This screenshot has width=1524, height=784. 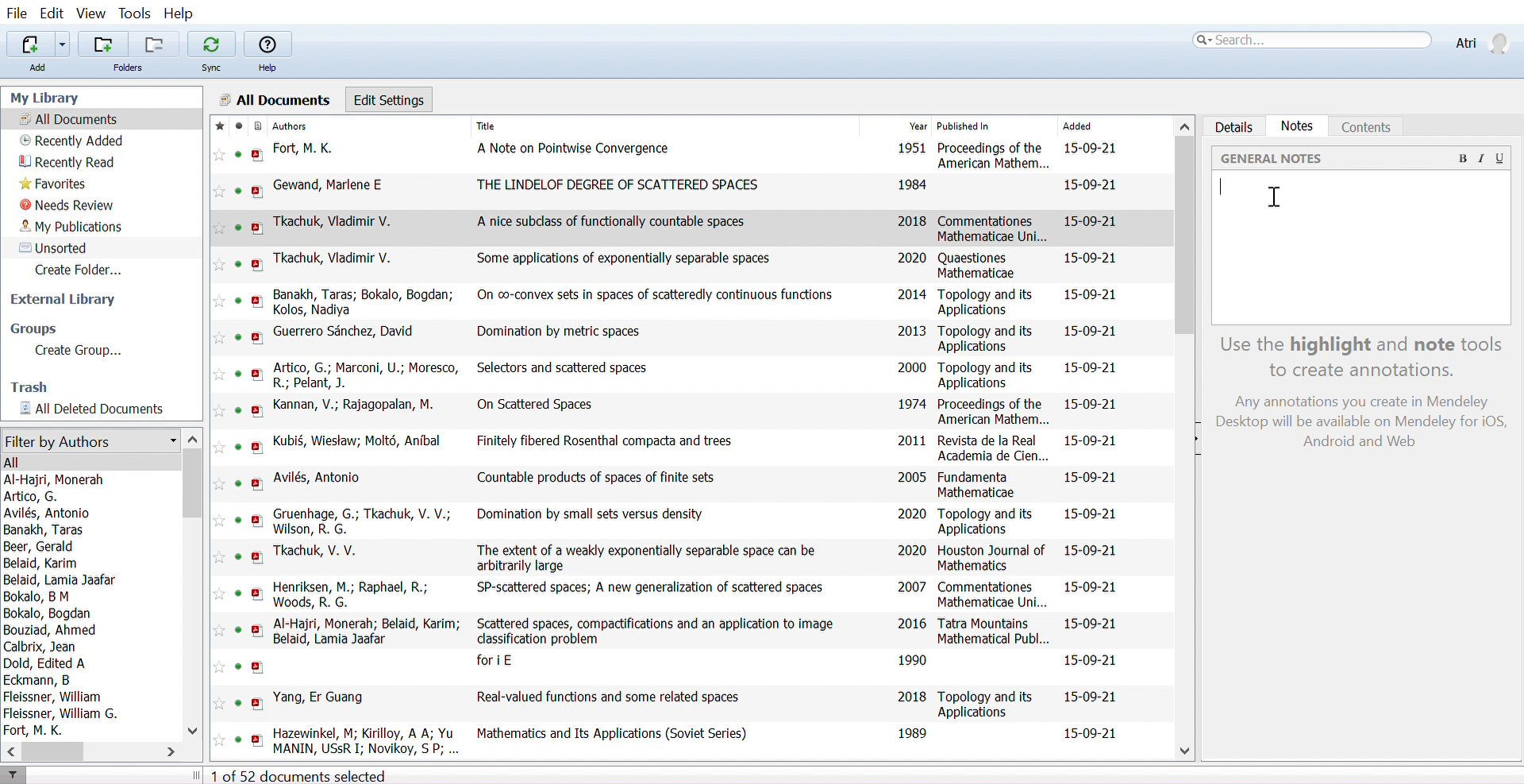 What do you see at coordinates (910, 659) in the screenshot?
I see `1990` at bounding box center [910, 659].